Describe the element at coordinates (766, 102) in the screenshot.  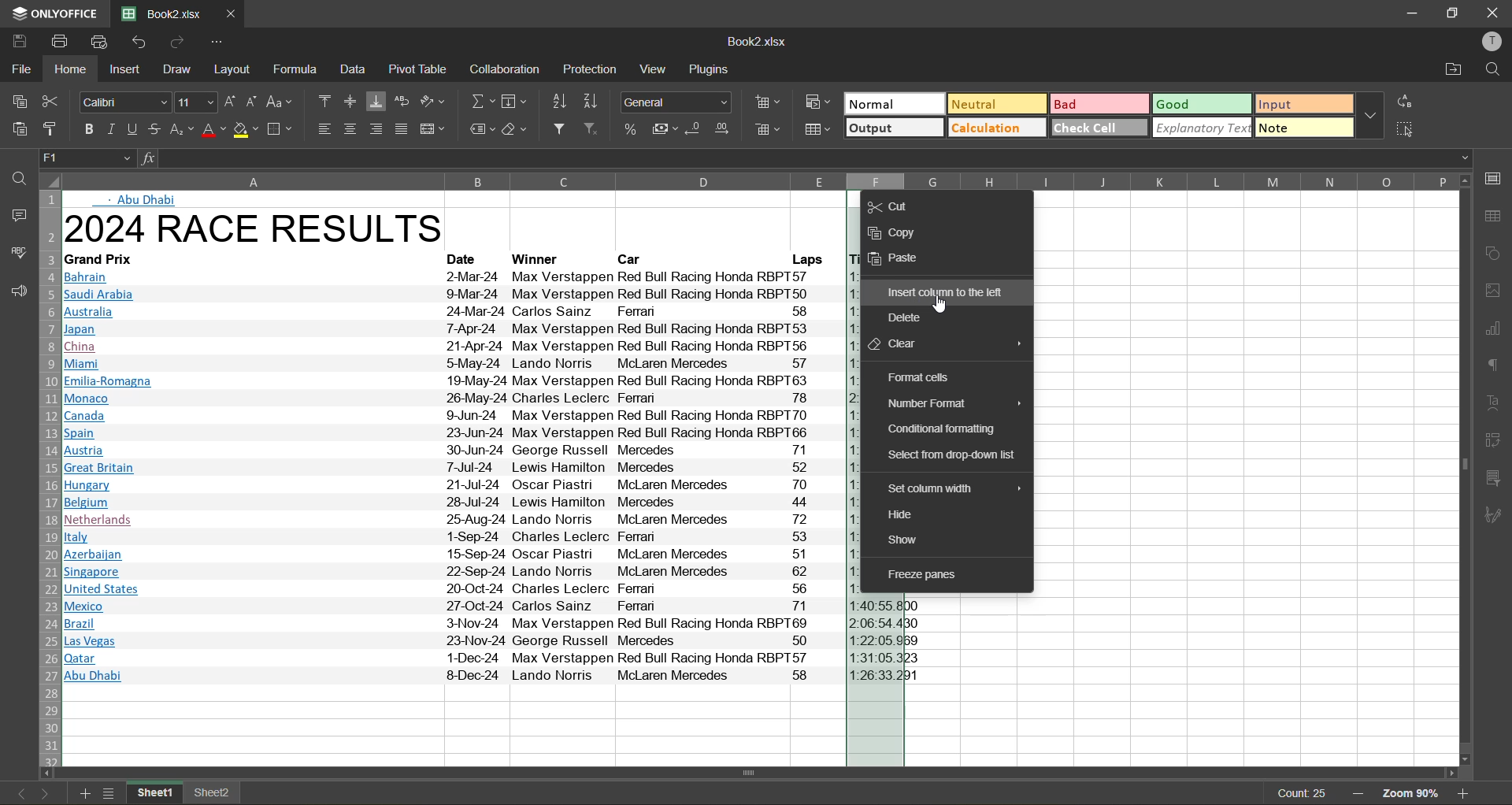
I see `insert cells` at that location.